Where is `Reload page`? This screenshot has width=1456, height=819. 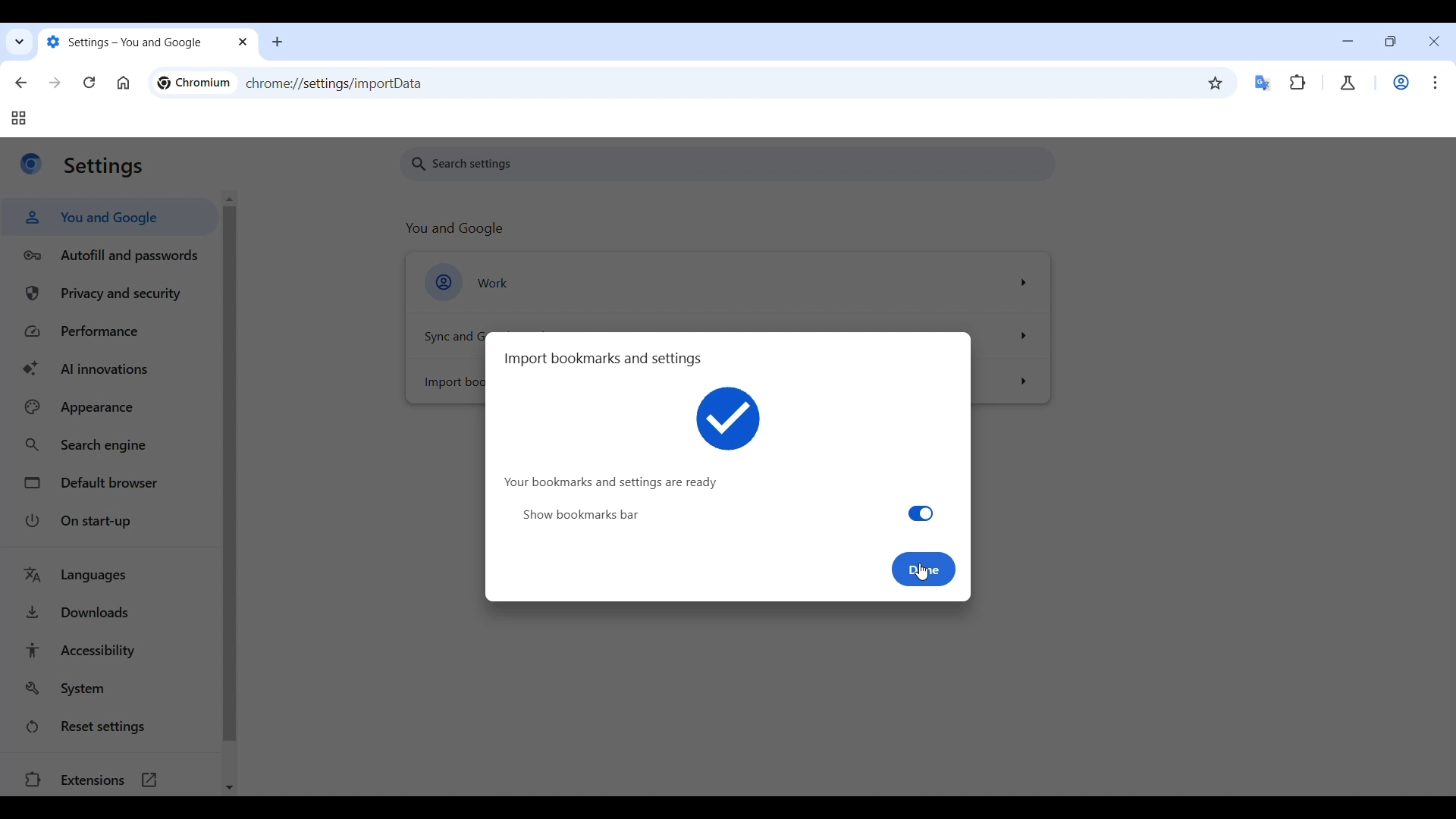 Reload page is located at coordinates (89, 82).